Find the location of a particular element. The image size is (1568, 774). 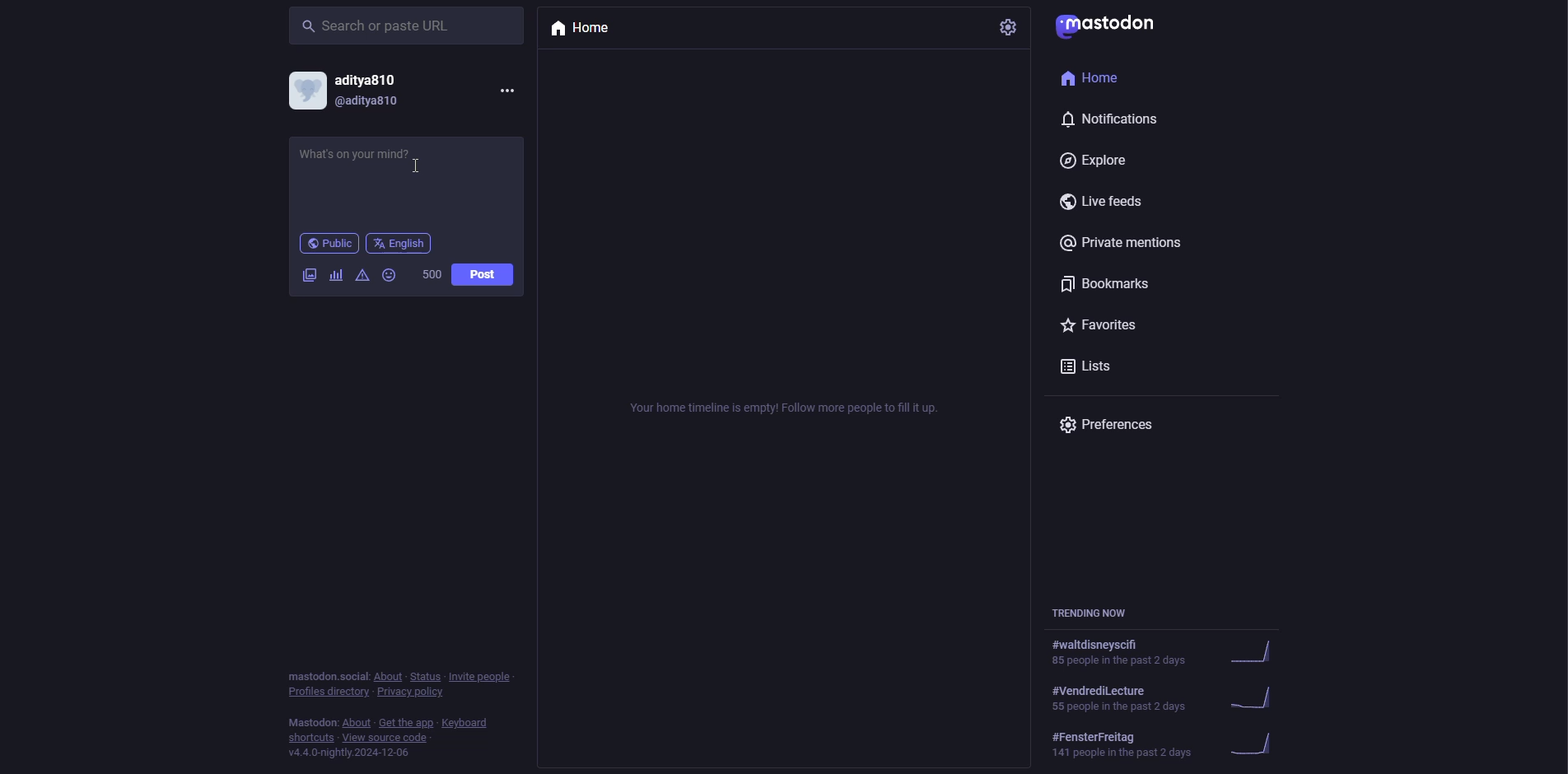

public is located at coordinates (327, 243).